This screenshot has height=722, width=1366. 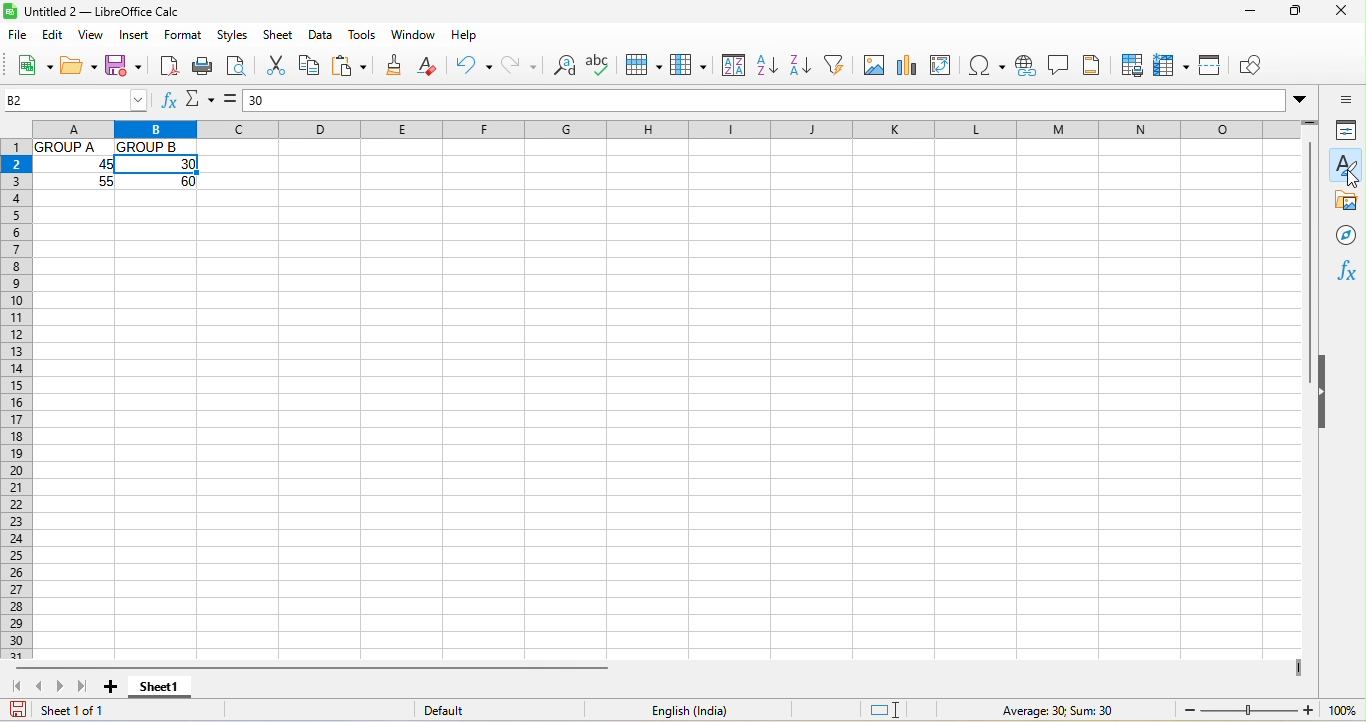 What do you see at coordinates (75, 99) in the screenshot?
I see `B2 (selected cell number)` at bounding box center [75, 99].